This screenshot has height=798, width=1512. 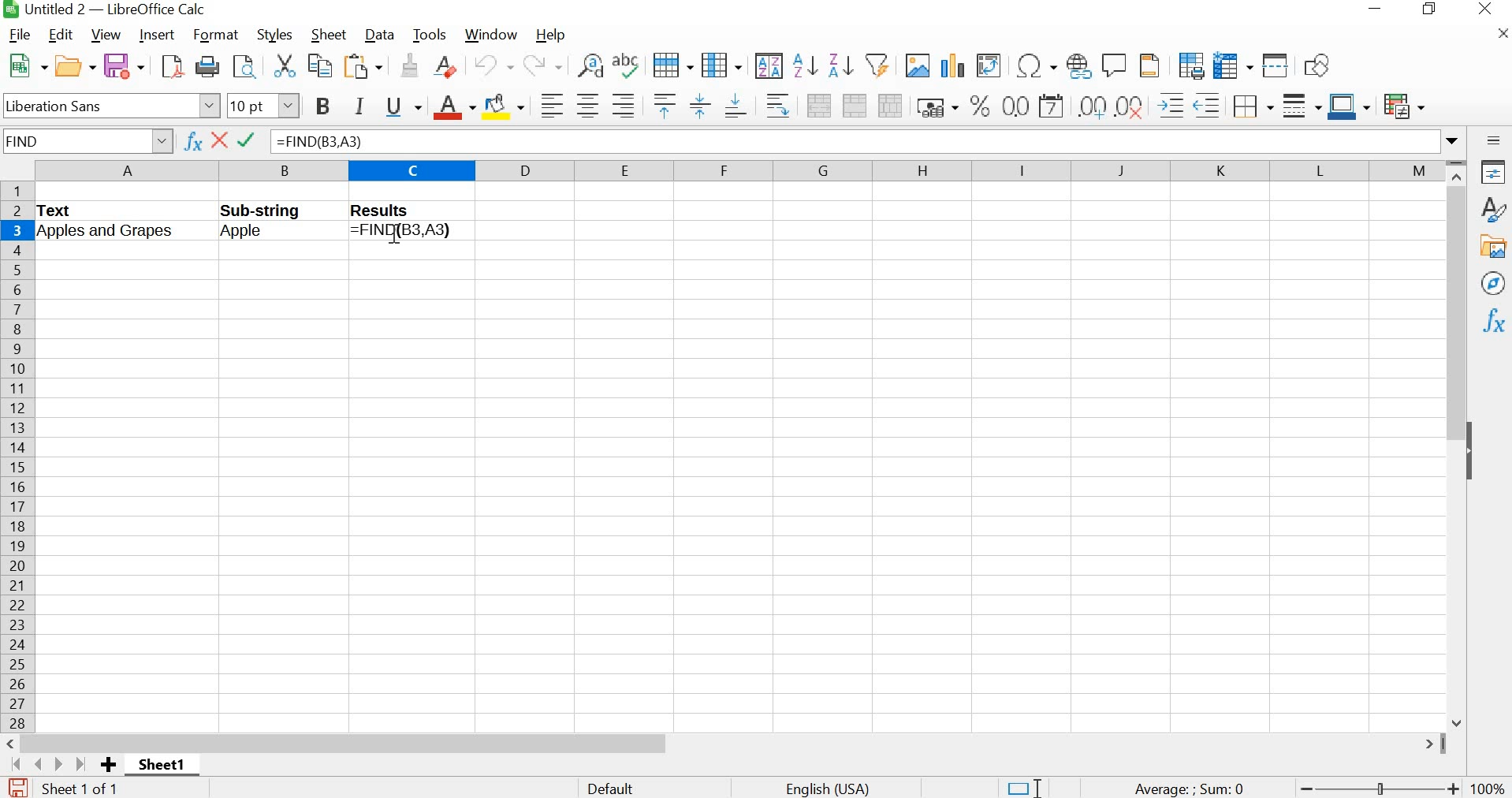 What do you see at coordinates (322, 107) in the screenshot?
I see `bold` at bounding box center [322, 107].